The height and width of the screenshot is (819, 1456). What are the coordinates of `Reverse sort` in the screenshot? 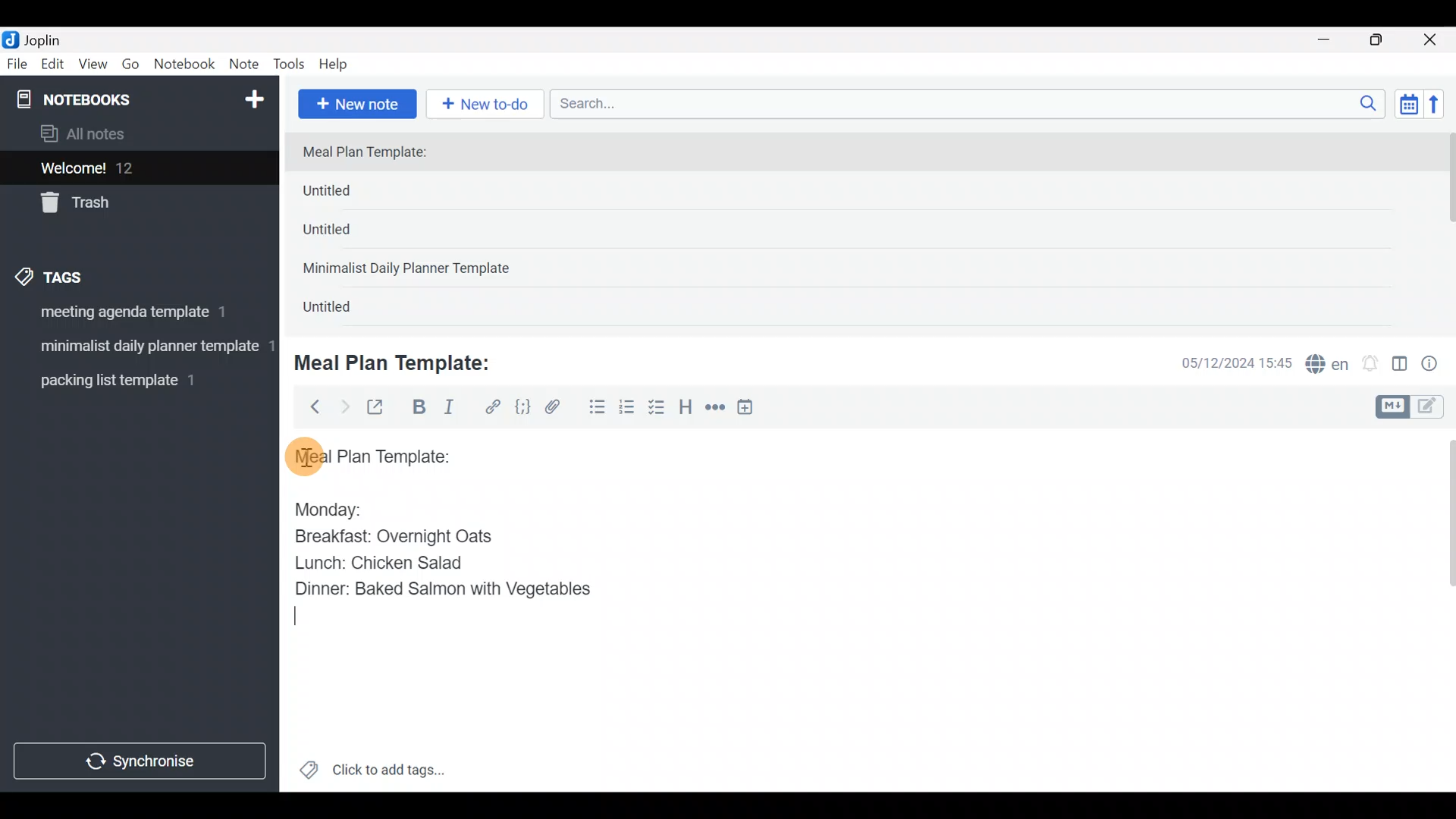 It's located at (1442, 108).